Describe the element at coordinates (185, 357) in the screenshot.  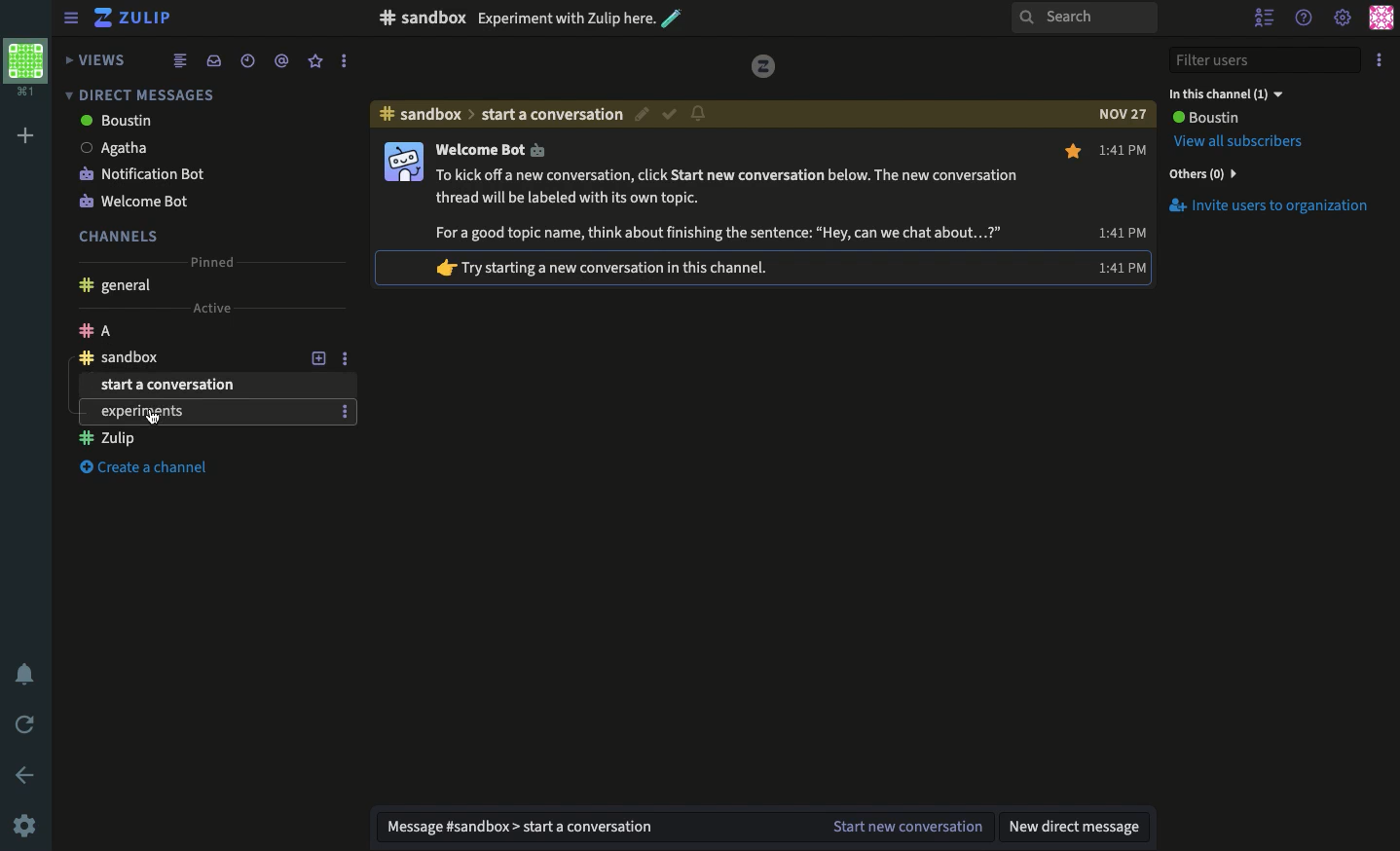
I see `Chanel sandbox` at that location.